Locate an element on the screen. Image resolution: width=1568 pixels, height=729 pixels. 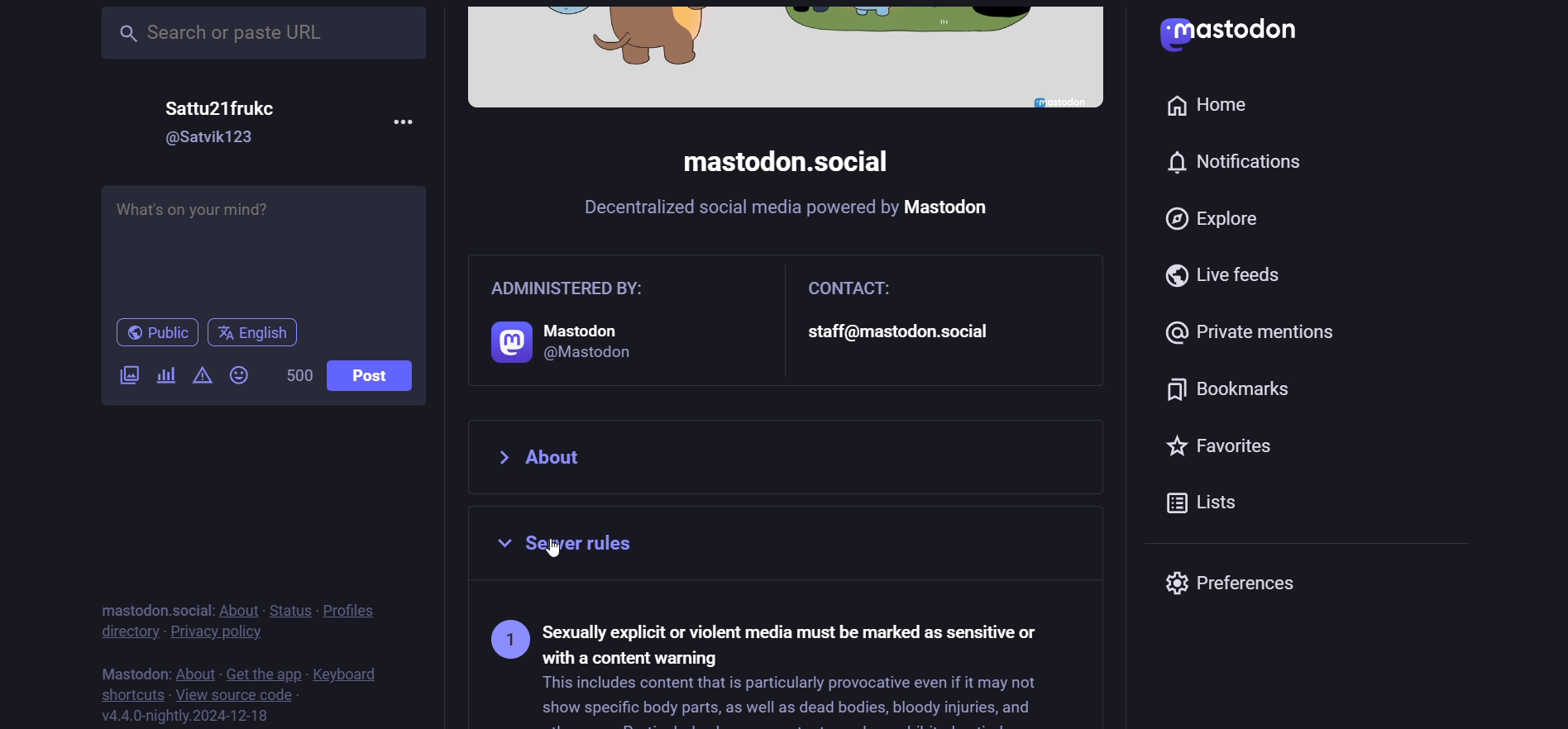
notification is located at coordinates (1244, 163).